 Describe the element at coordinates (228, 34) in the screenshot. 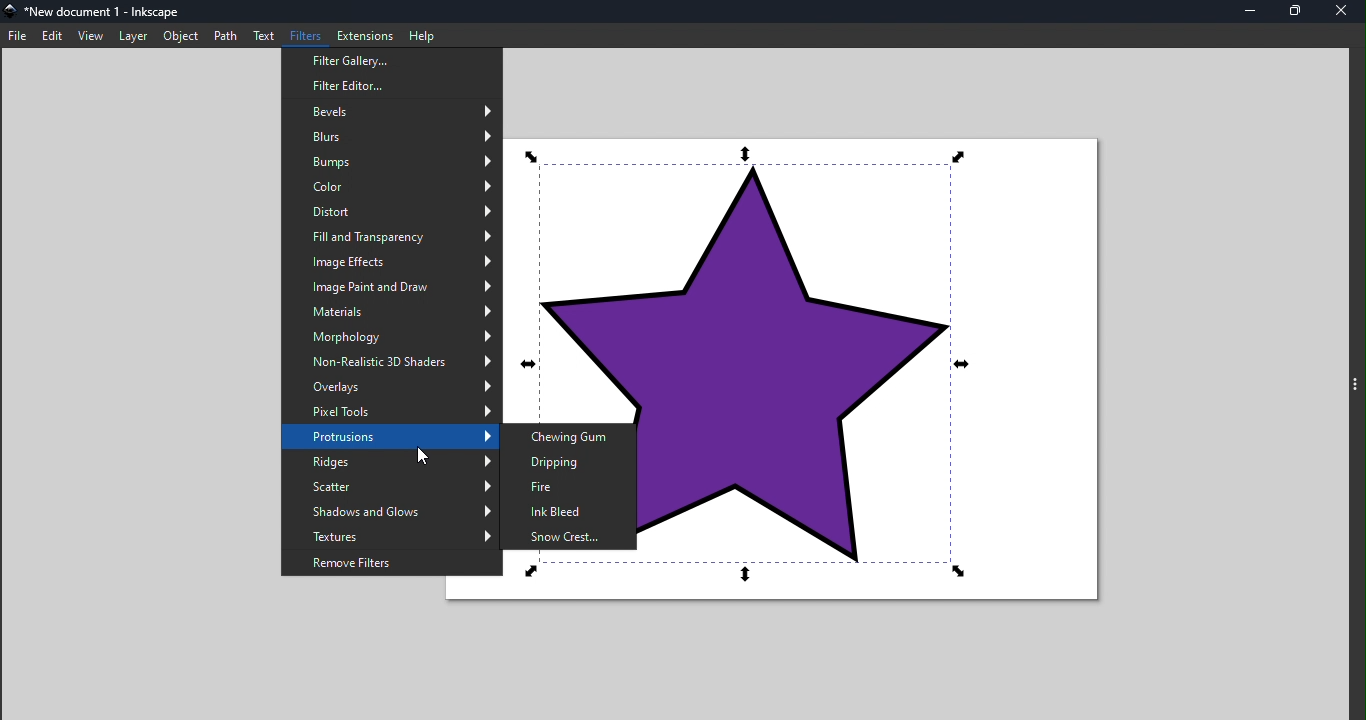

I see `Path` at that location.